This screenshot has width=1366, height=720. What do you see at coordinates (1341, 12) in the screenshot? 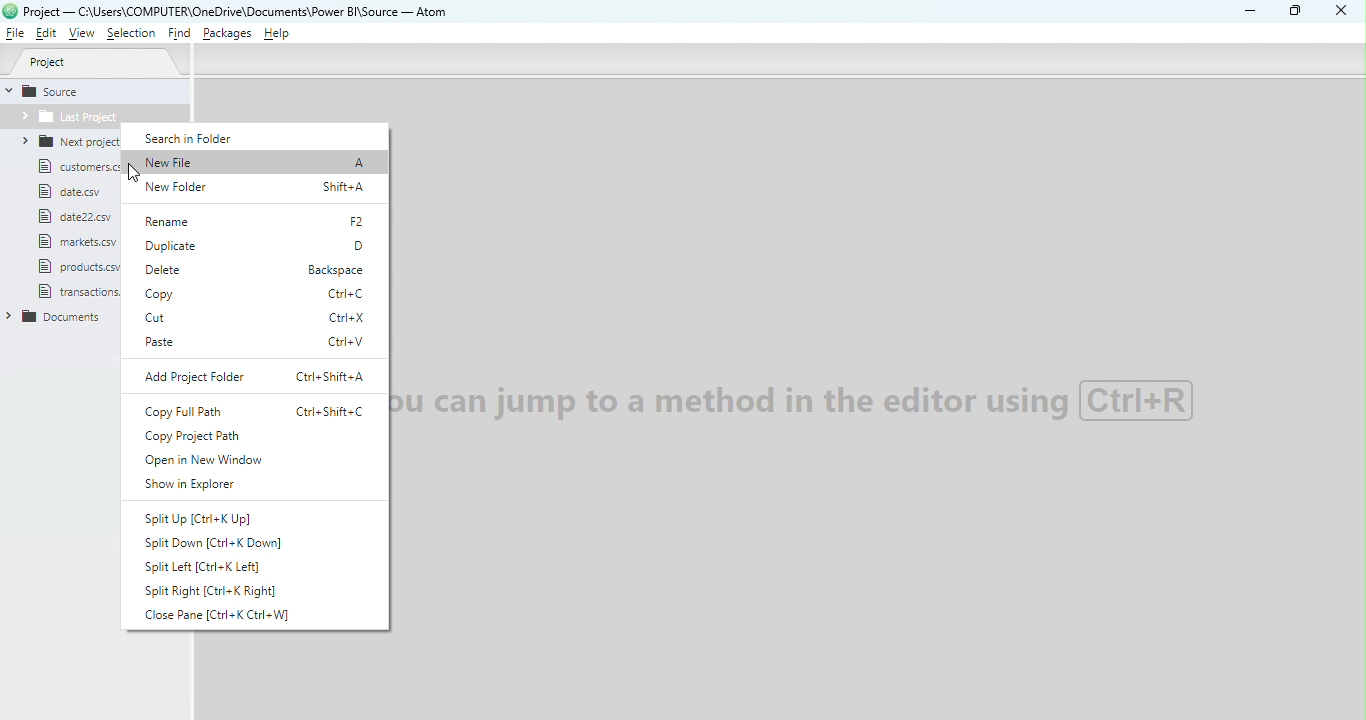
I see `Close` at bounding box center [1341, 12].